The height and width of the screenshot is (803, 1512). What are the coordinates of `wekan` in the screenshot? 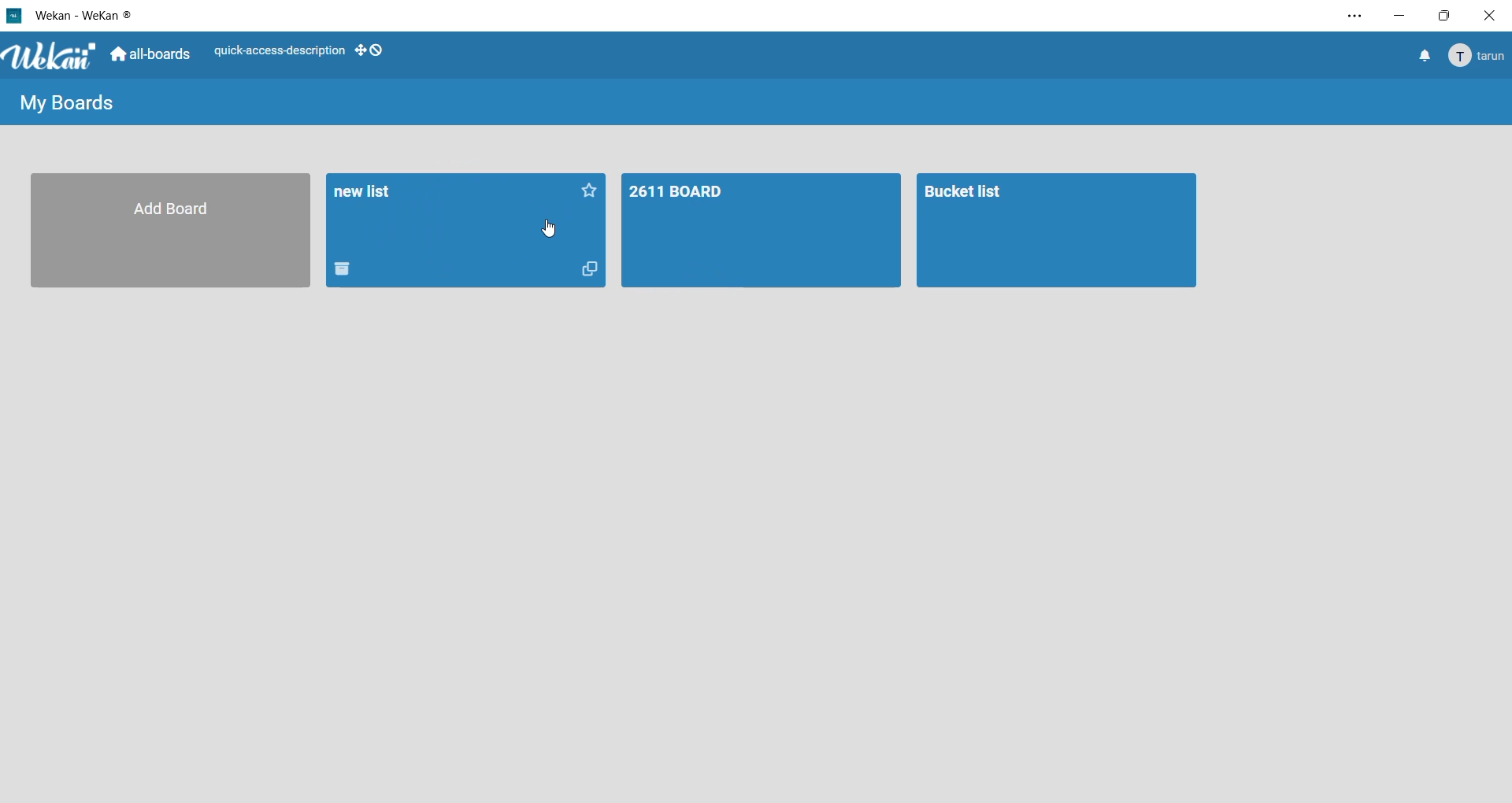 It's located at (54, 57).